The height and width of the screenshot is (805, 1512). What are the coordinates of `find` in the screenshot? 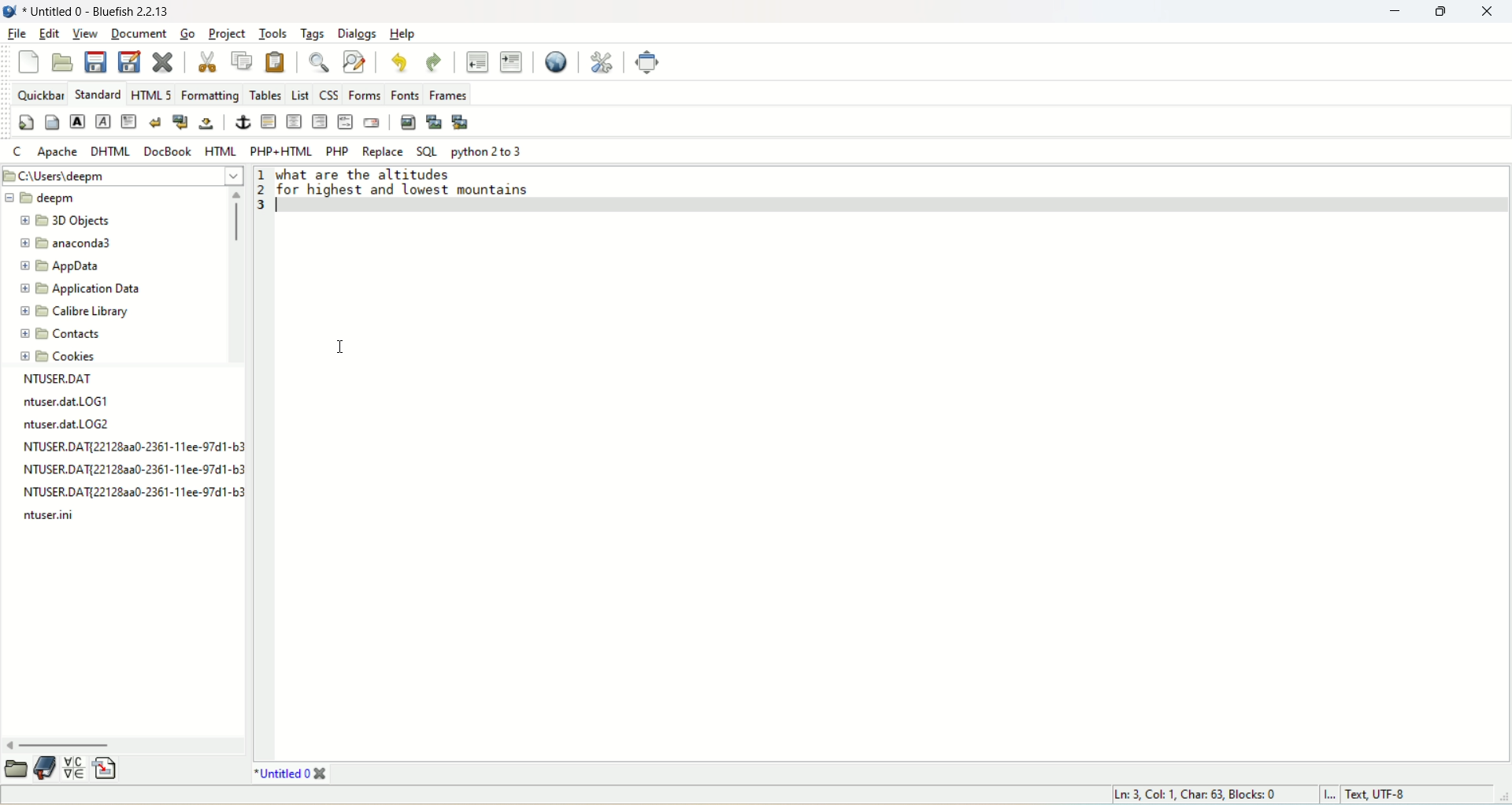 It's located at (319, 61).